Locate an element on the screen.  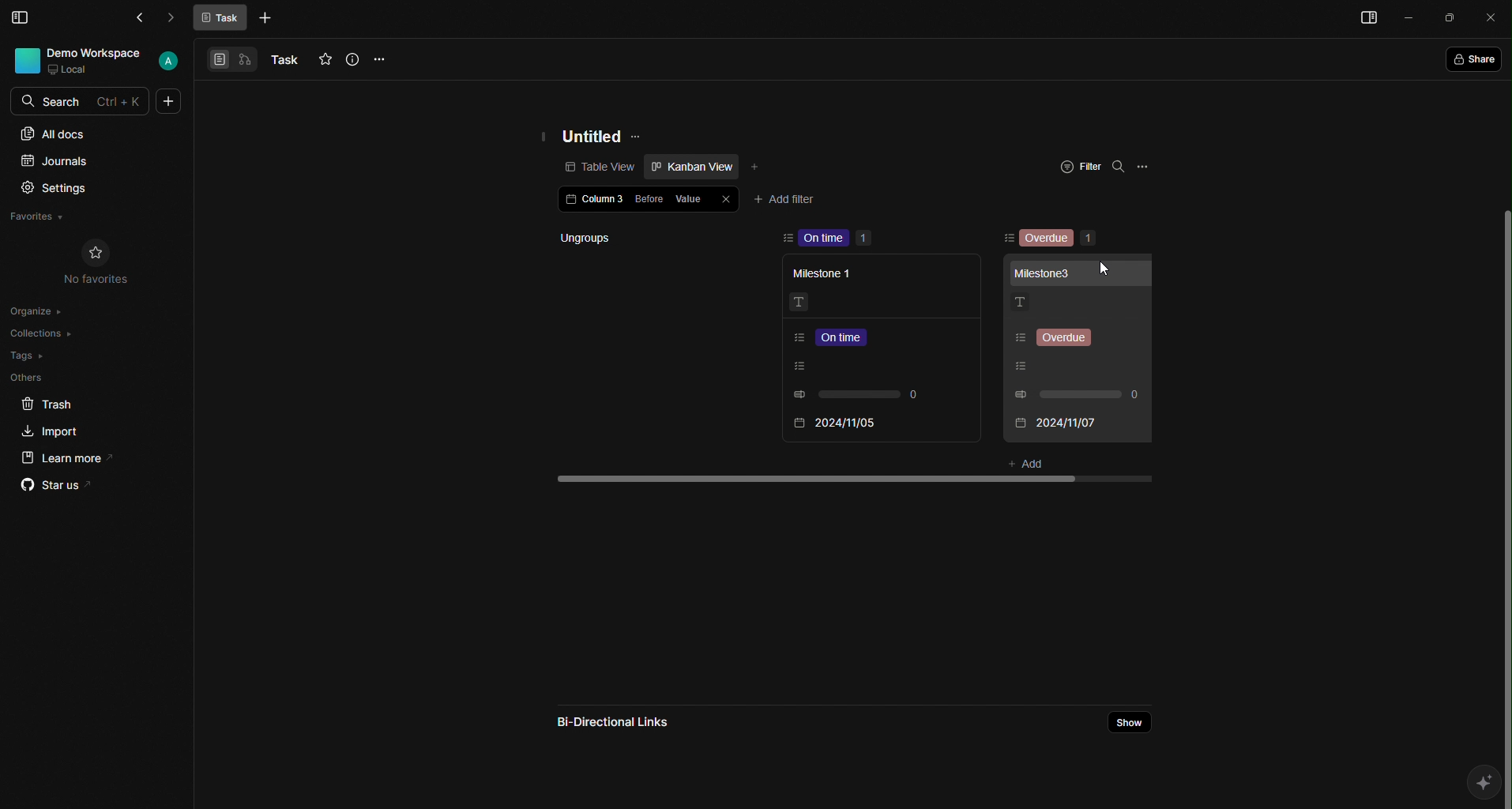
Collections is located at coordinates (44, 335).